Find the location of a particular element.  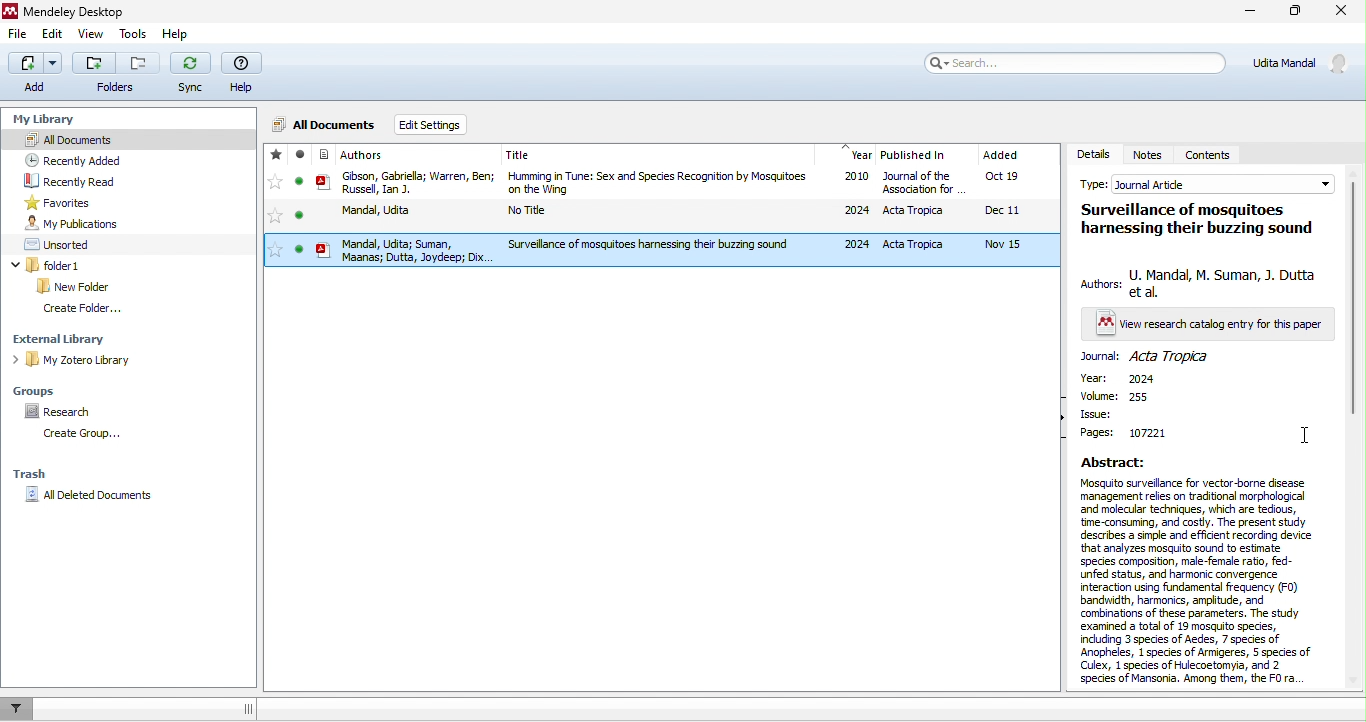

new folder is located at coordinates (78, 287).